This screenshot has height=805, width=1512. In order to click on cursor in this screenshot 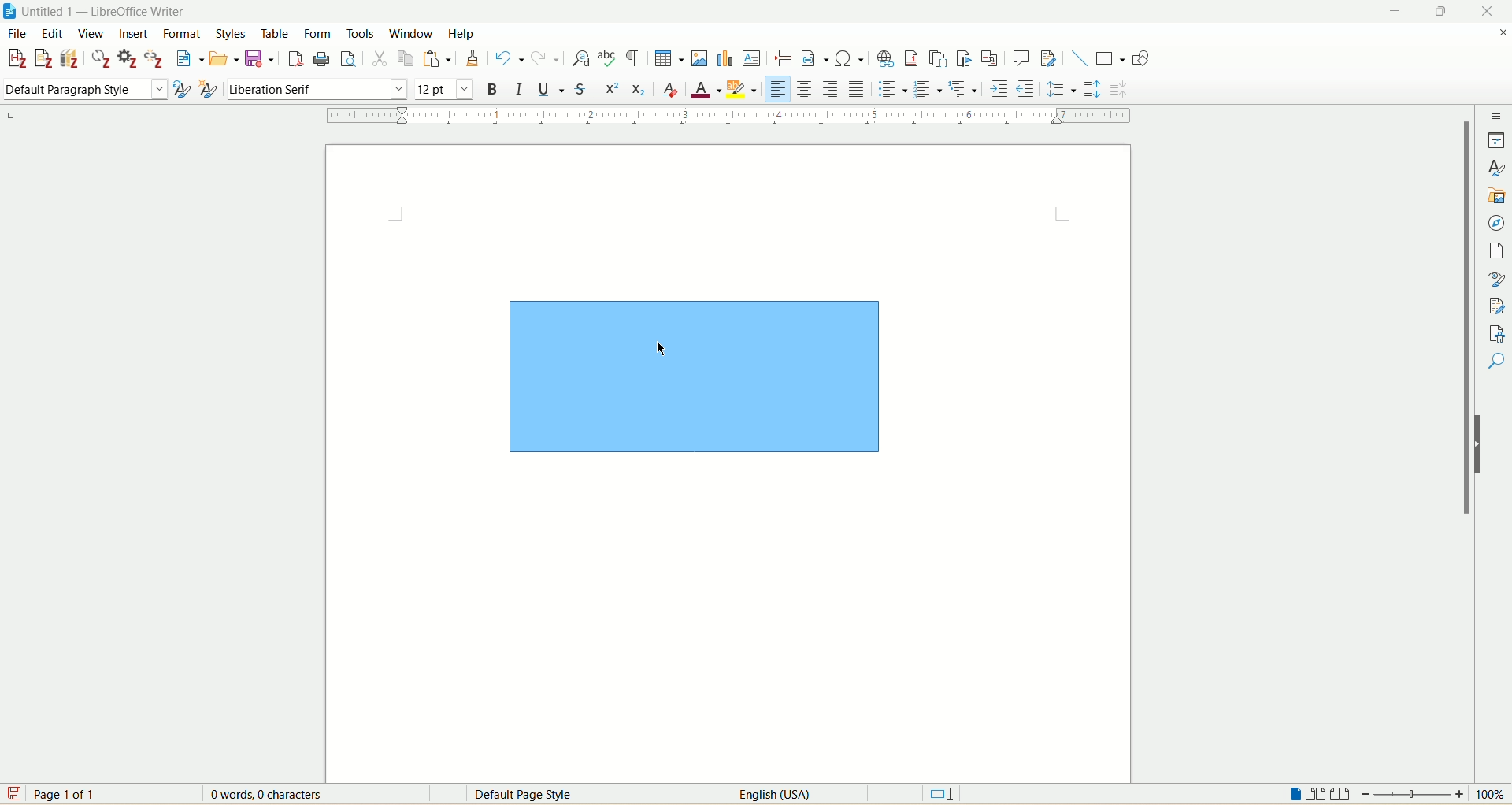, I will do `click(664, 351)`.